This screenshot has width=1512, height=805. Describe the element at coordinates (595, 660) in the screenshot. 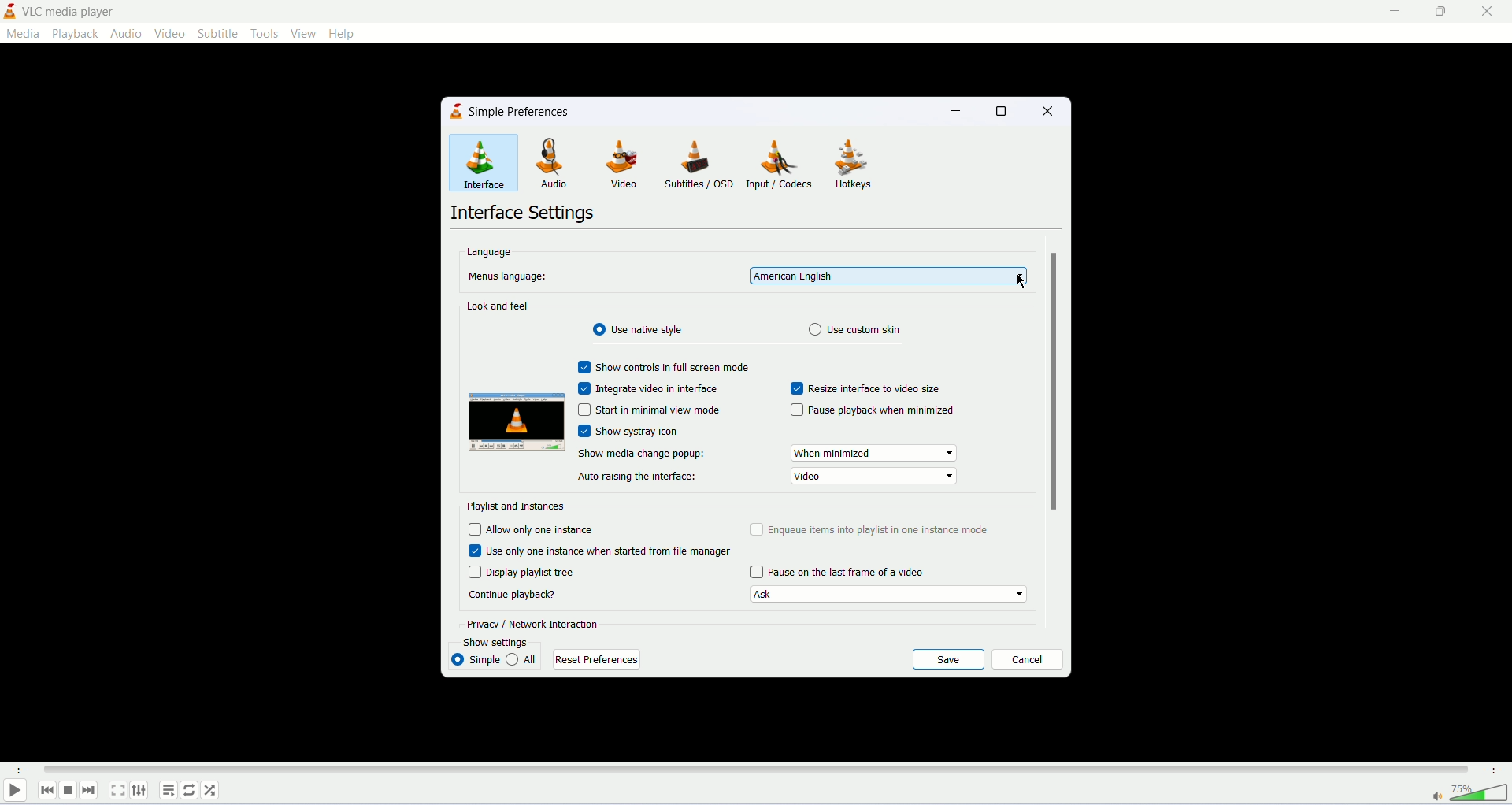

I see `reset preferences` at that location.